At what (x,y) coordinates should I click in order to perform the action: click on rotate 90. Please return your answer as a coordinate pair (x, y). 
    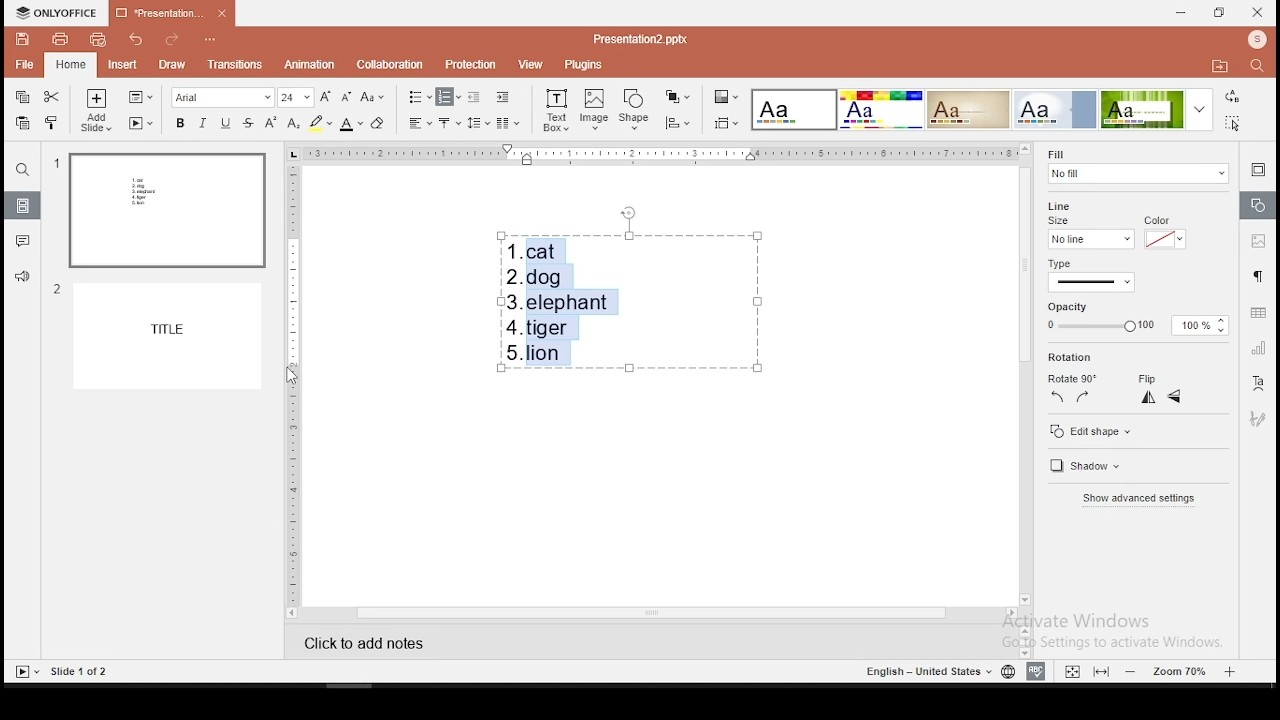
    Looking at the image, I should click on (1074, 380).